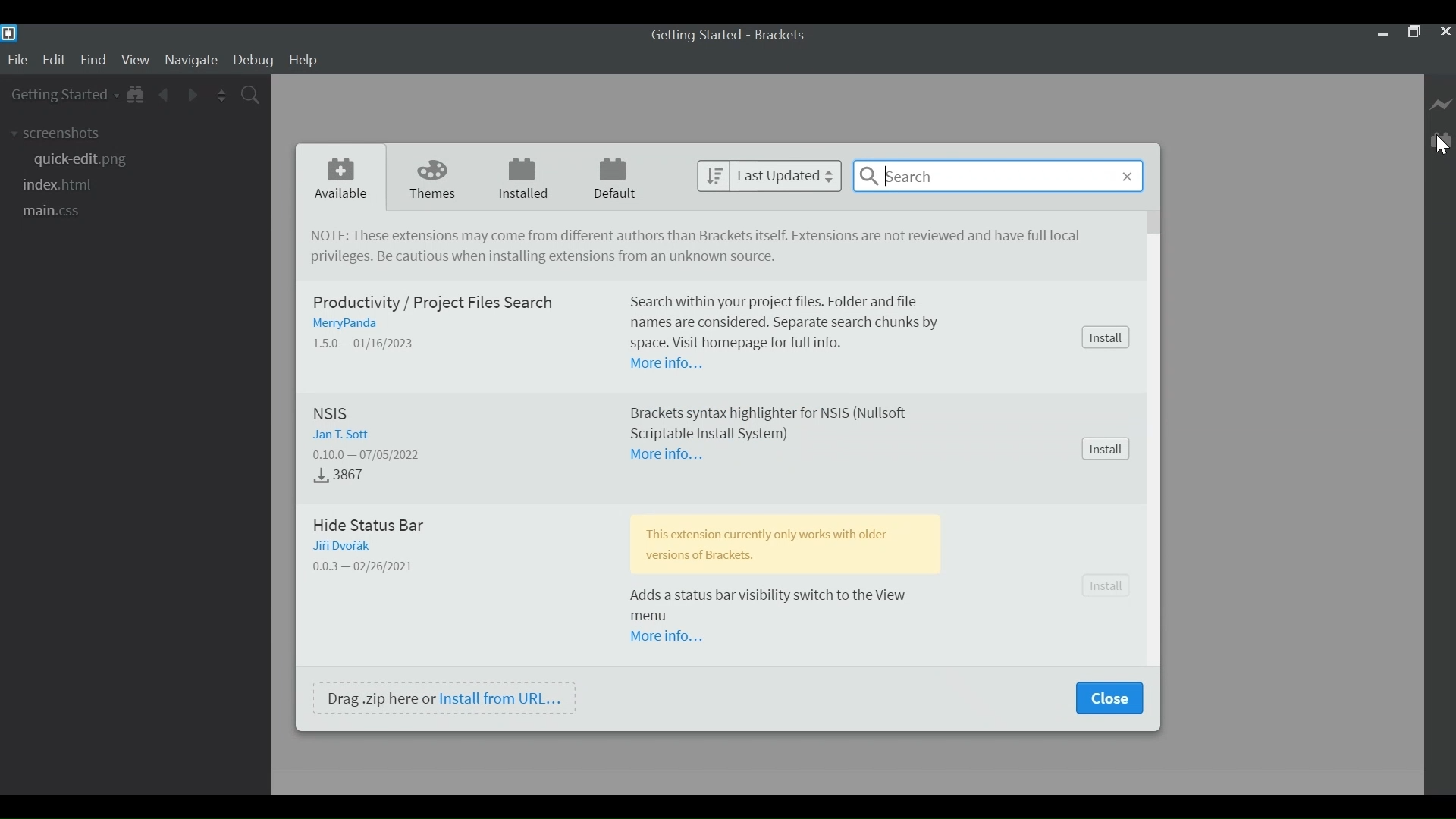 The height and width of the screenshot is (819, 1456). What do you see at coordinates (344, 435) in the screenshot?
I see `Jan T.Sott` at bounding box center [344, 435].